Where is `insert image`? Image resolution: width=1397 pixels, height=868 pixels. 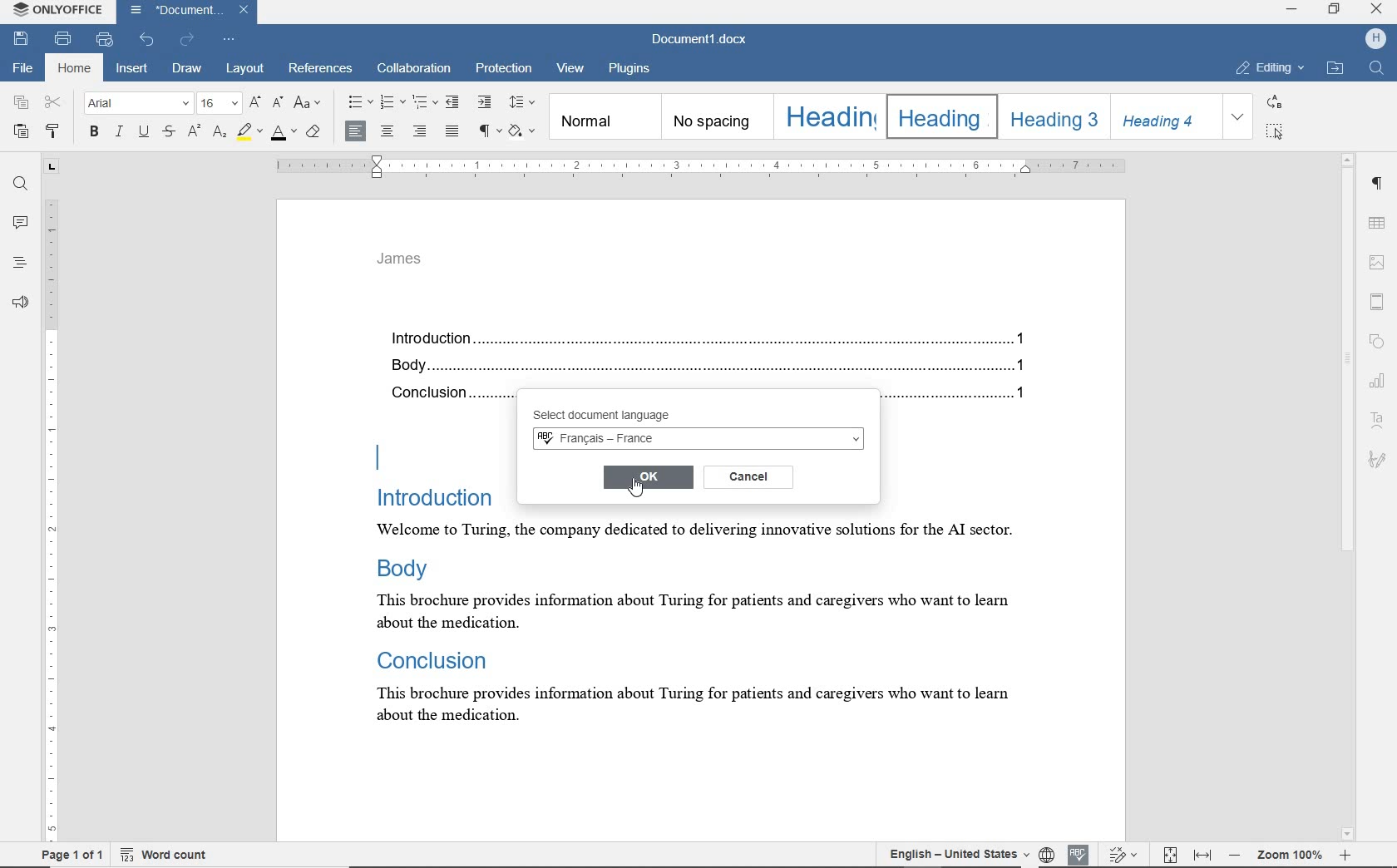
insert image is located at coordinates (1378, 263).